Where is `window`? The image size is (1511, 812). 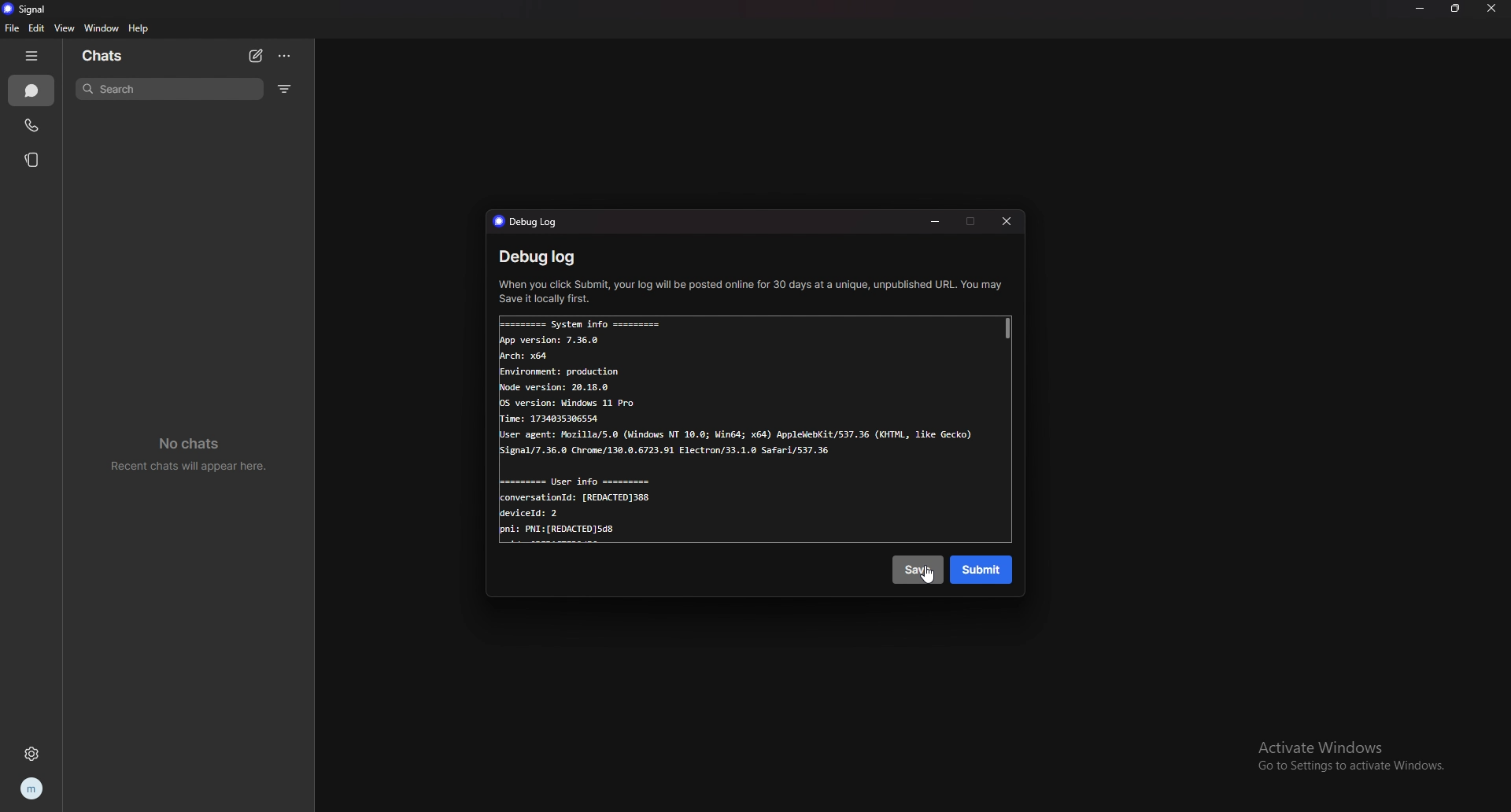
window is located at coordinates (102, 28).